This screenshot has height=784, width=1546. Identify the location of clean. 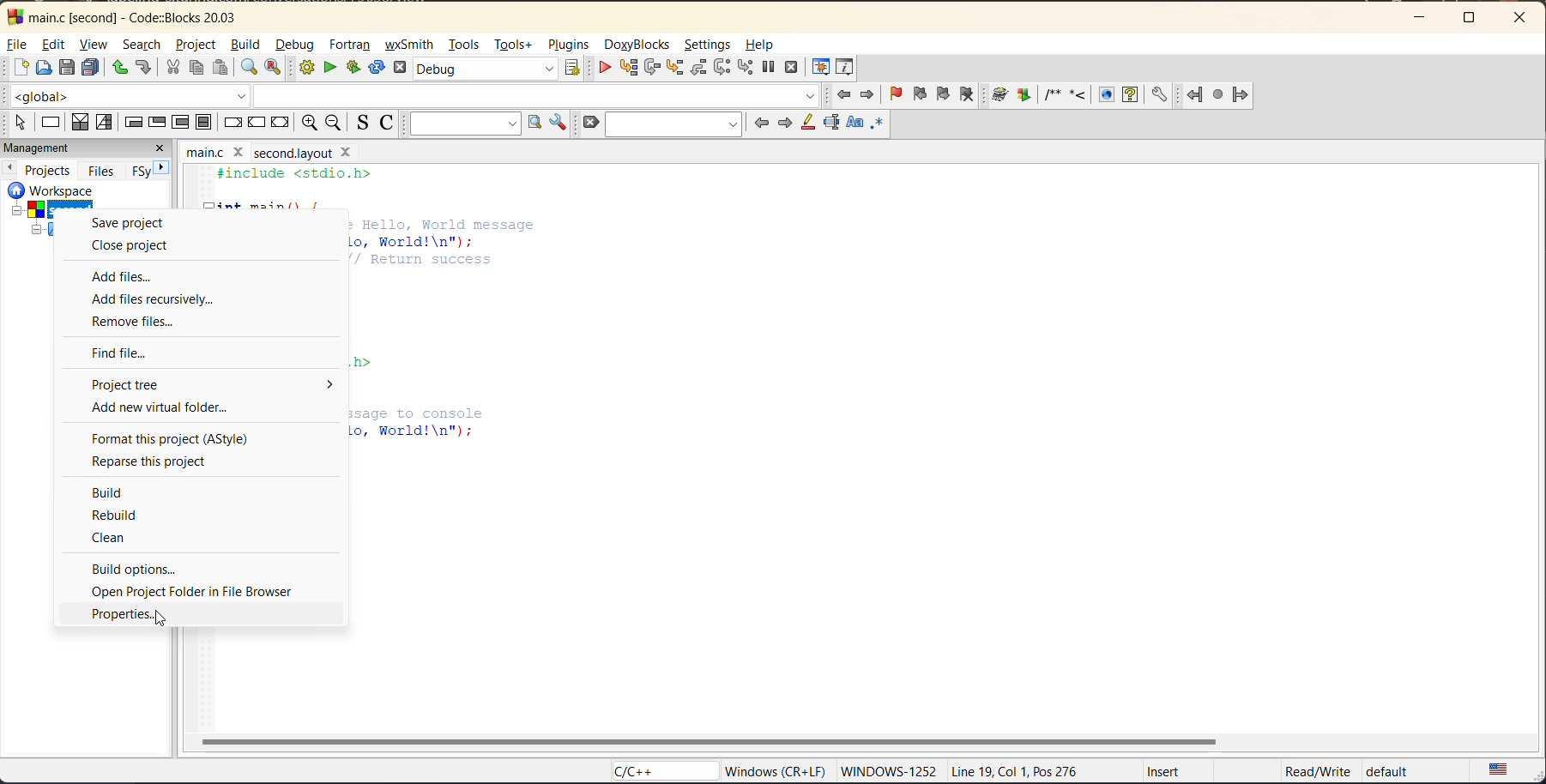
(115, 539).